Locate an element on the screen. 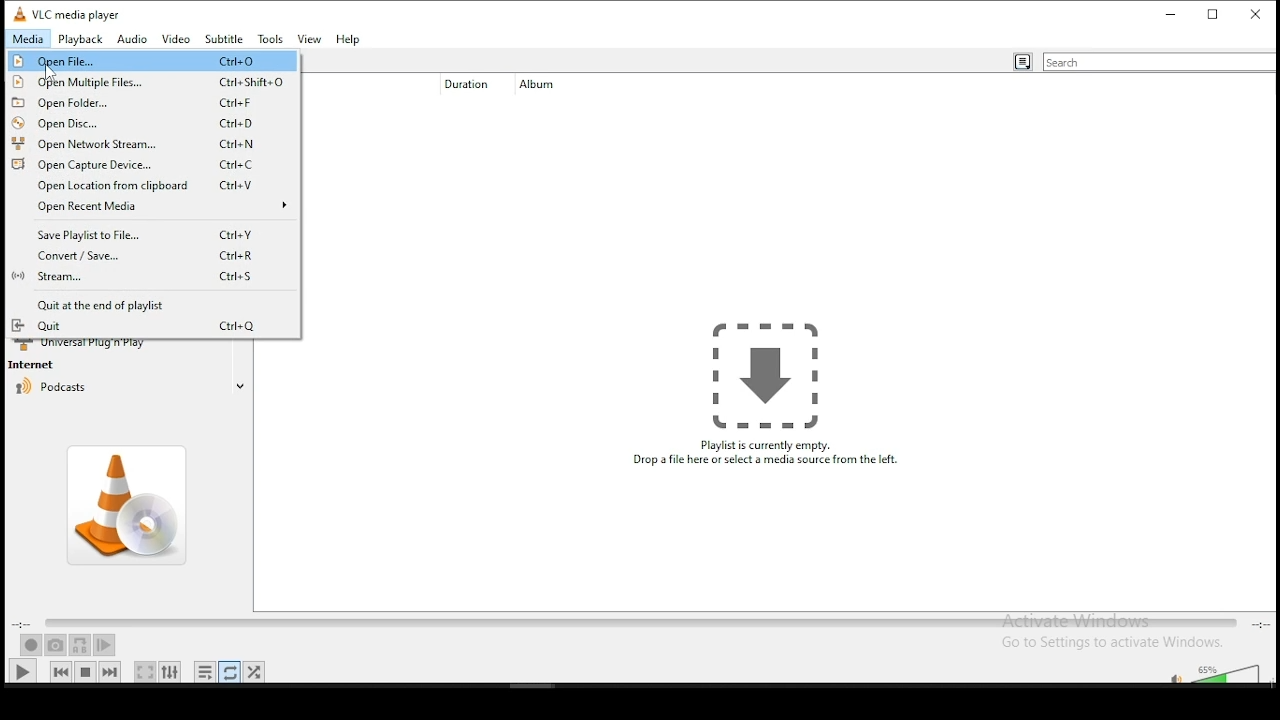 This screenshot has width=1280, height=720. minimize is located at coordinates (1172, 13).